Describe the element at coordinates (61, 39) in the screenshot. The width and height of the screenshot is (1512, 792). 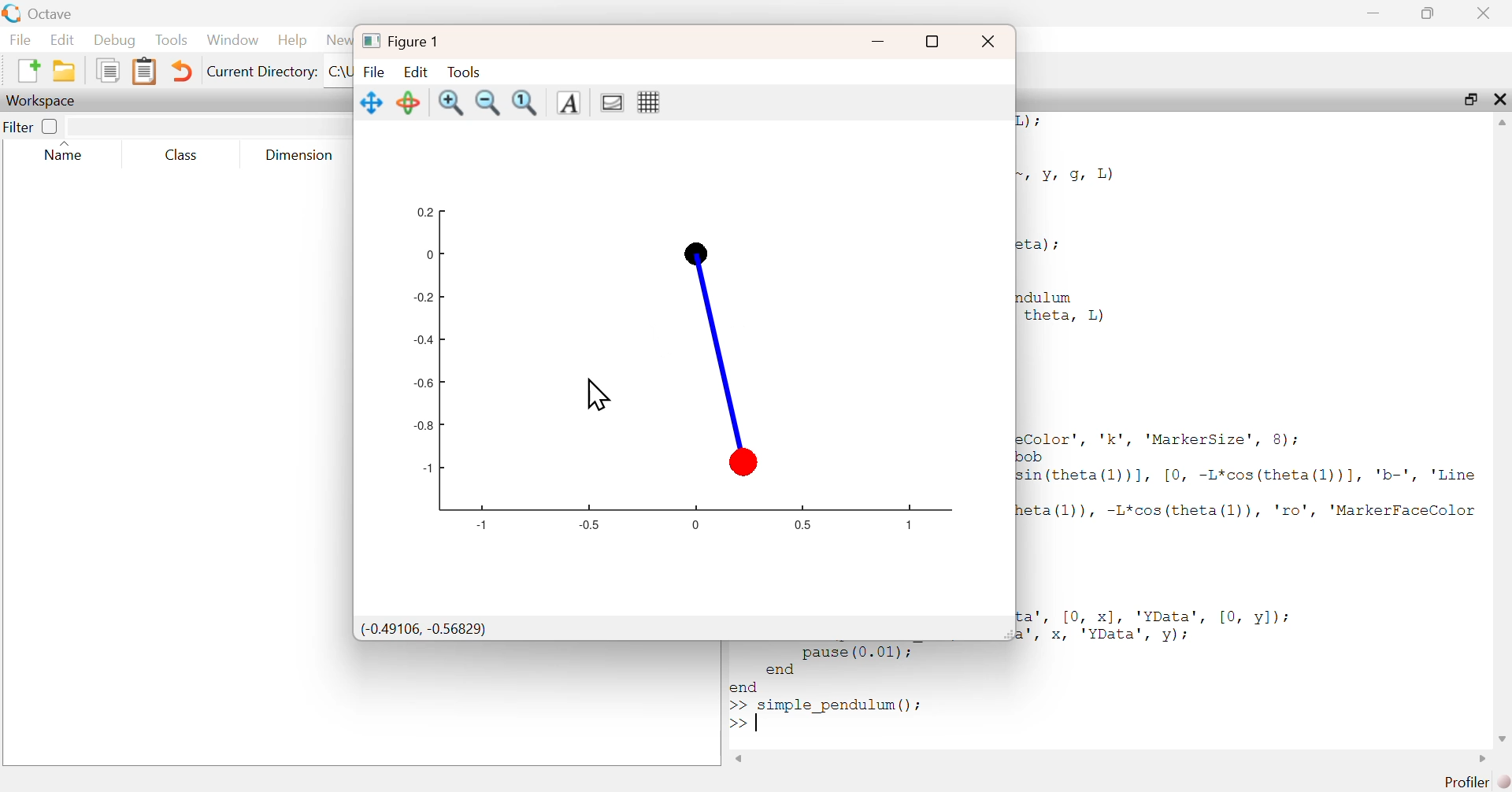
I see `Edit` at that location.